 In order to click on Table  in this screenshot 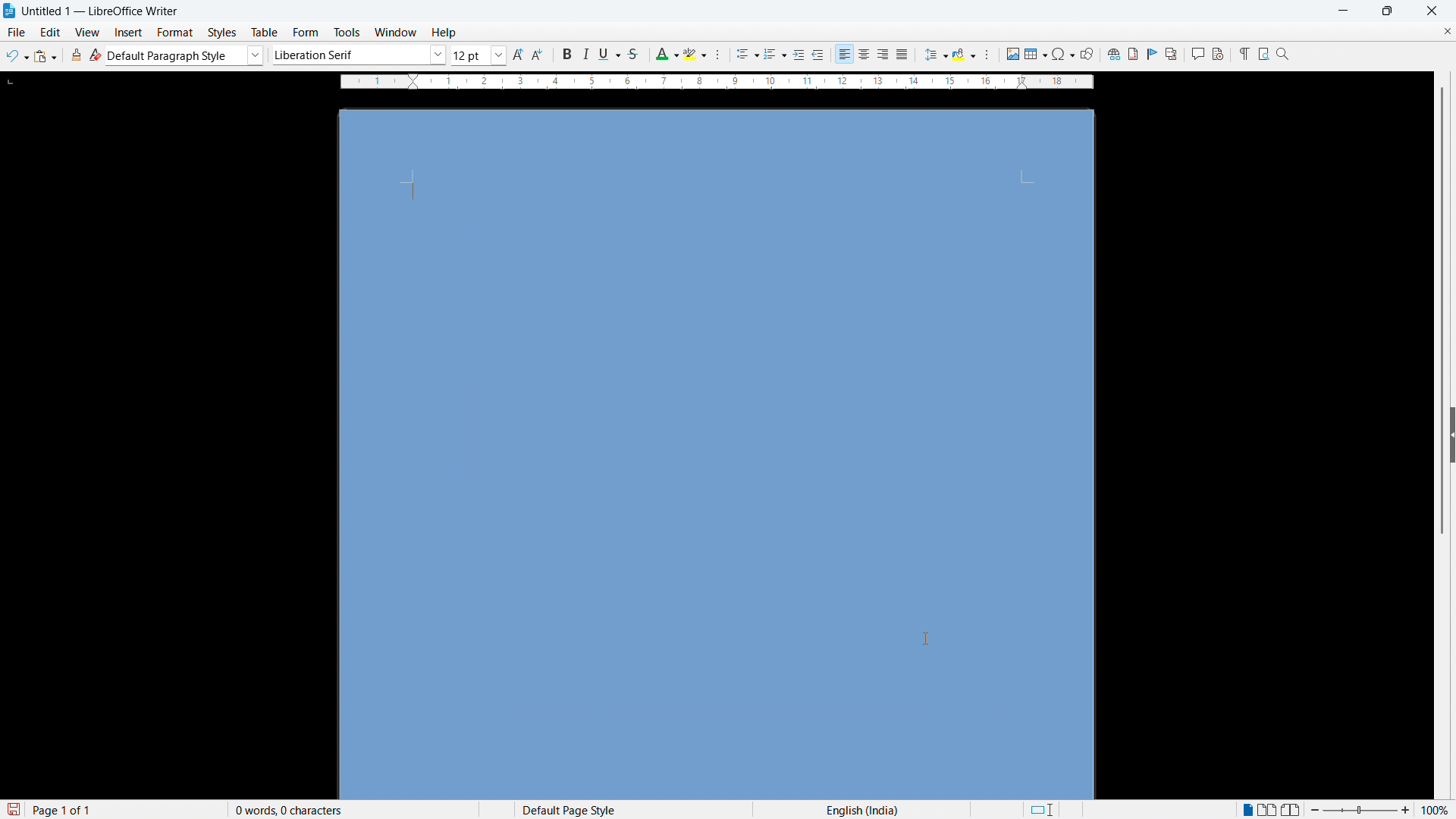, I will do `click(266, 33)`.